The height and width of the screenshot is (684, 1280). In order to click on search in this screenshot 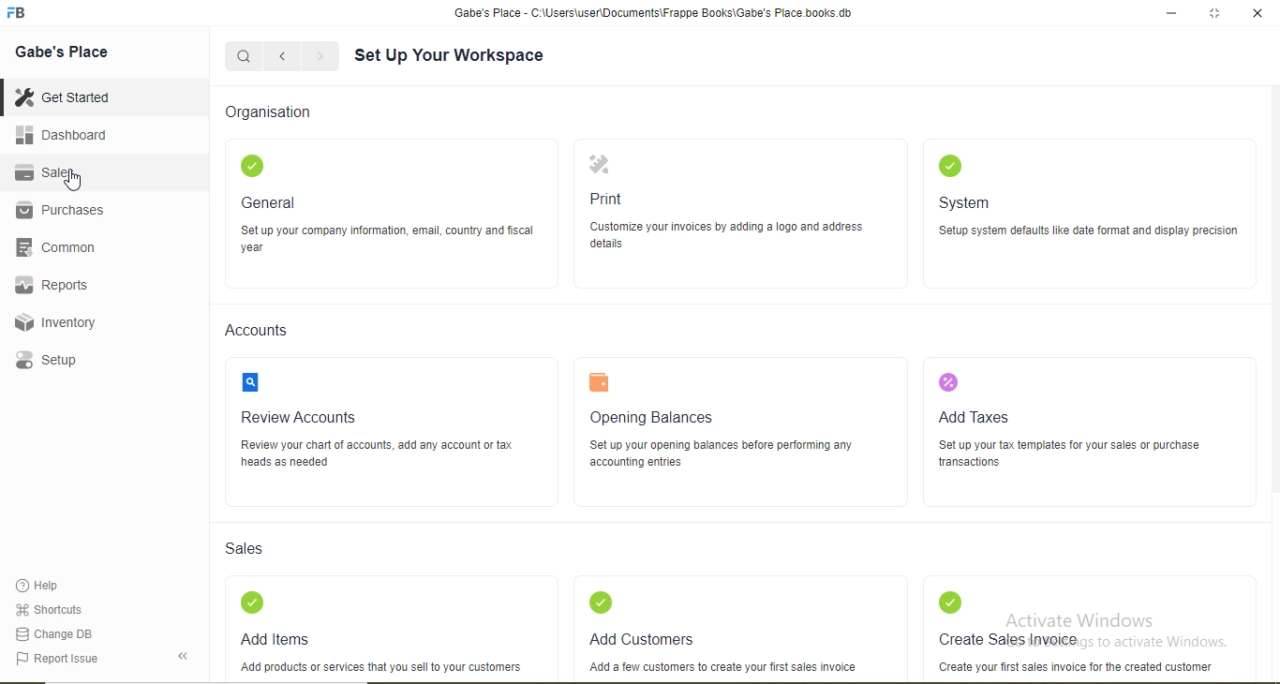, I will do `click(260, 380)`.